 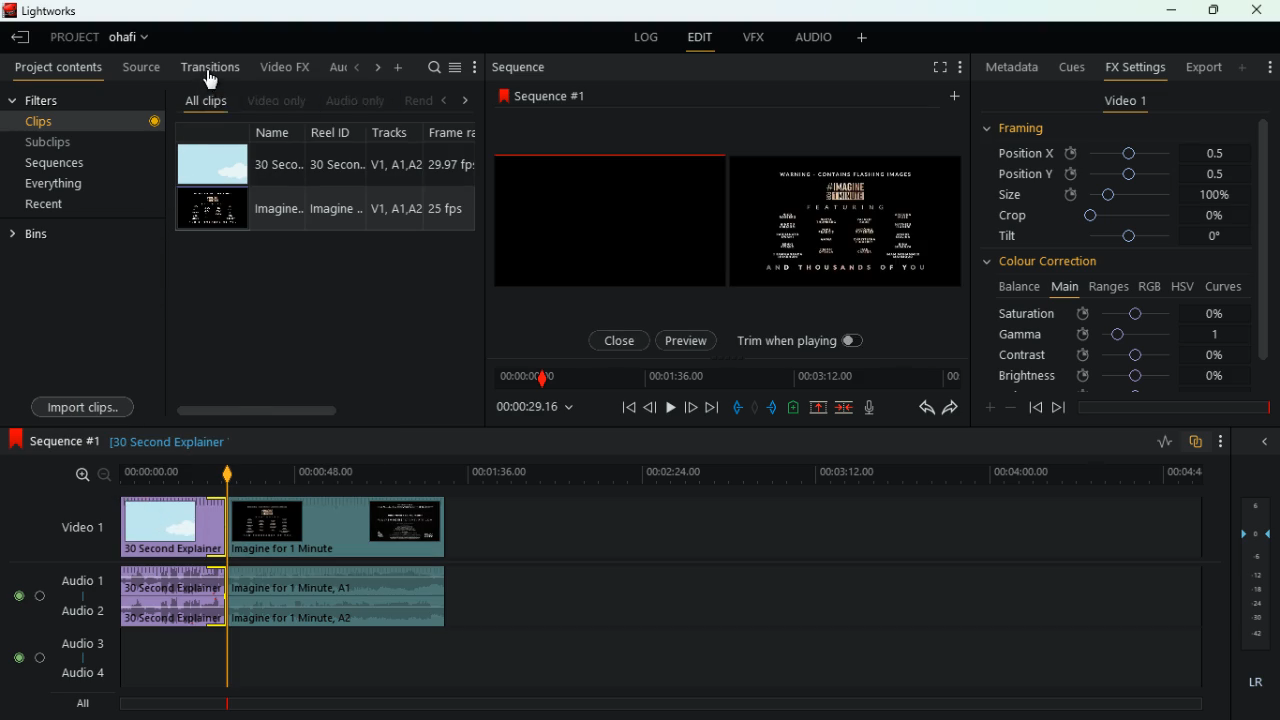 I want to click on menu, so click(x=455, y=67).